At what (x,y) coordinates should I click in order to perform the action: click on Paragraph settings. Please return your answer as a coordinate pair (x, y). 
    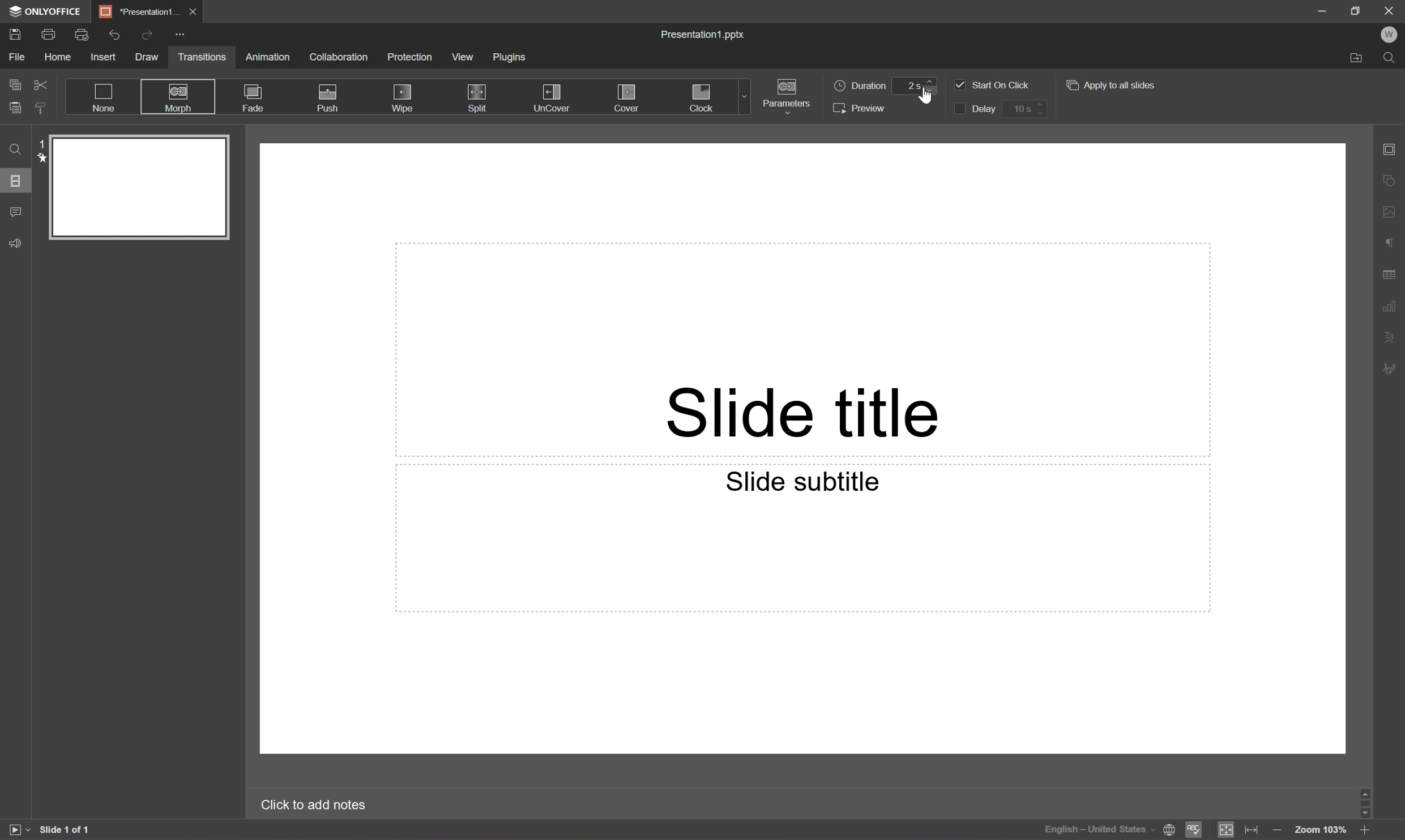
    Looking at the image, I should click on (1391, 245).